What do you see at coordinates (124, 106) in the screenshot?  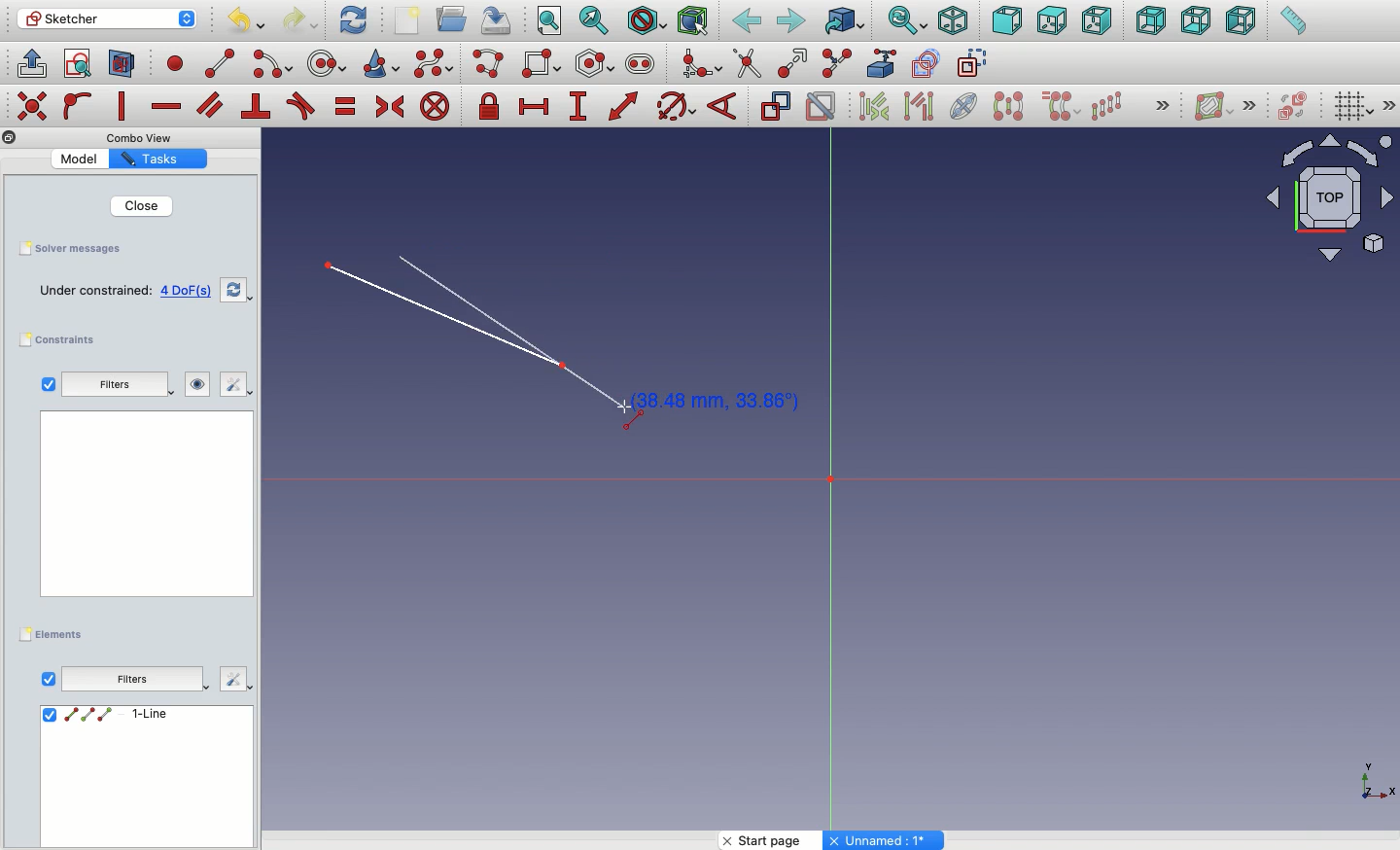 I see `Constrain vertically` at bounding box center [124, 106].